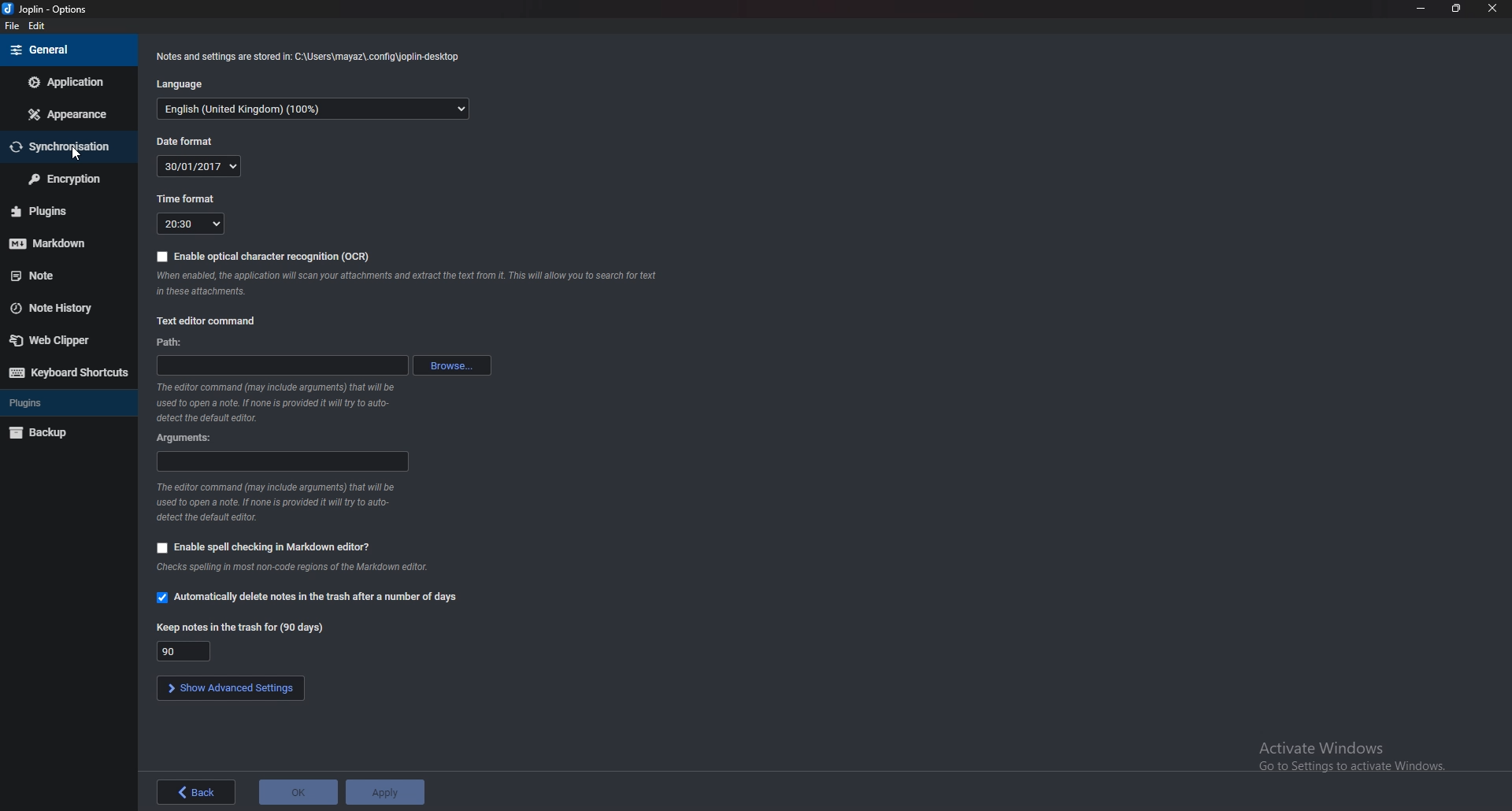 Image resolution: width=1512 pixels, height=811 pixels. I want to click on text editor command, so click(214, 321).